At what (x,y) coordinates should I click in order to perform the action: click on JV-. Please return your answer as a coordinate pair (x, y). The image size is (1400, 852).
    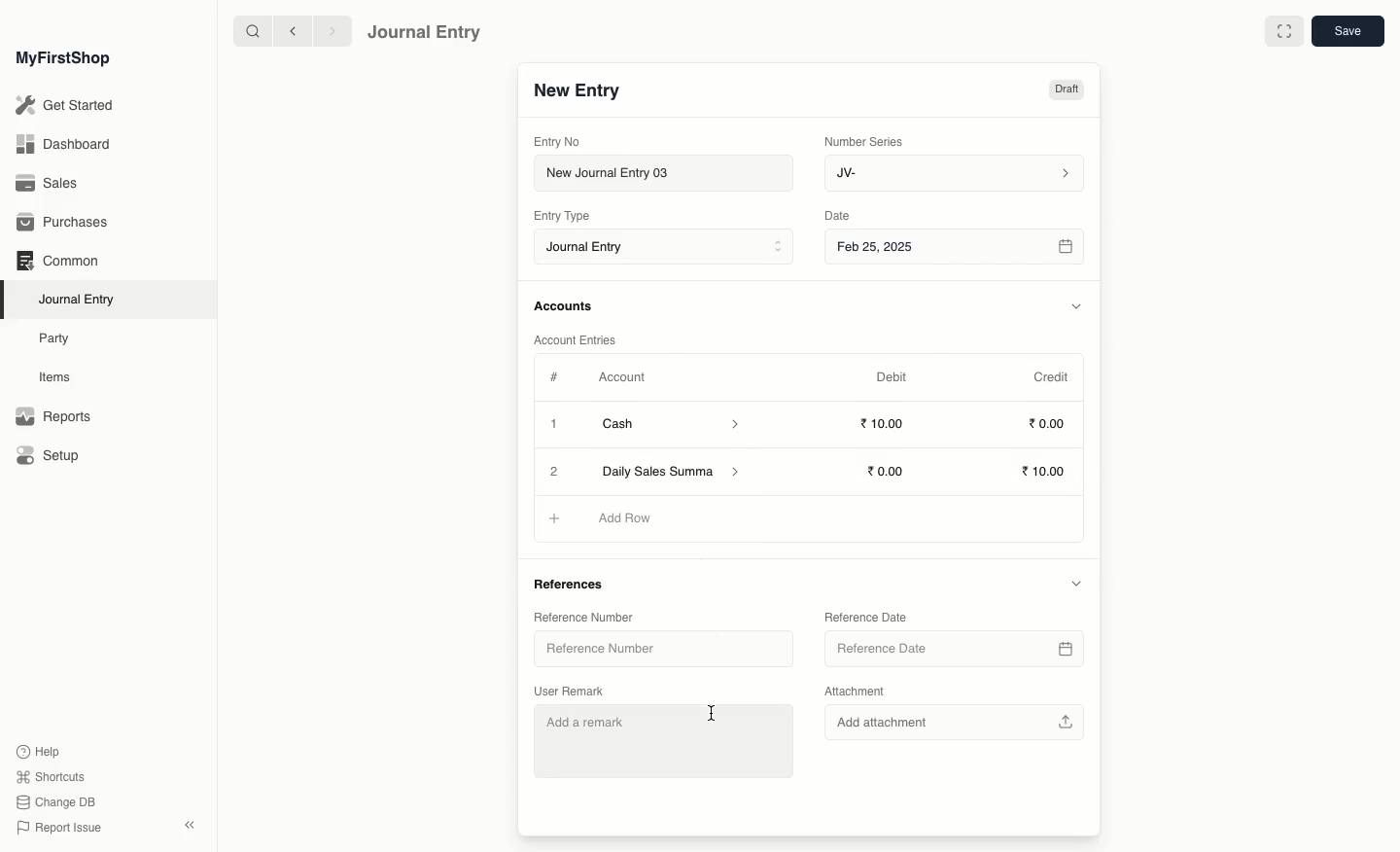
    Looking at the image, I should click on (952, 173).